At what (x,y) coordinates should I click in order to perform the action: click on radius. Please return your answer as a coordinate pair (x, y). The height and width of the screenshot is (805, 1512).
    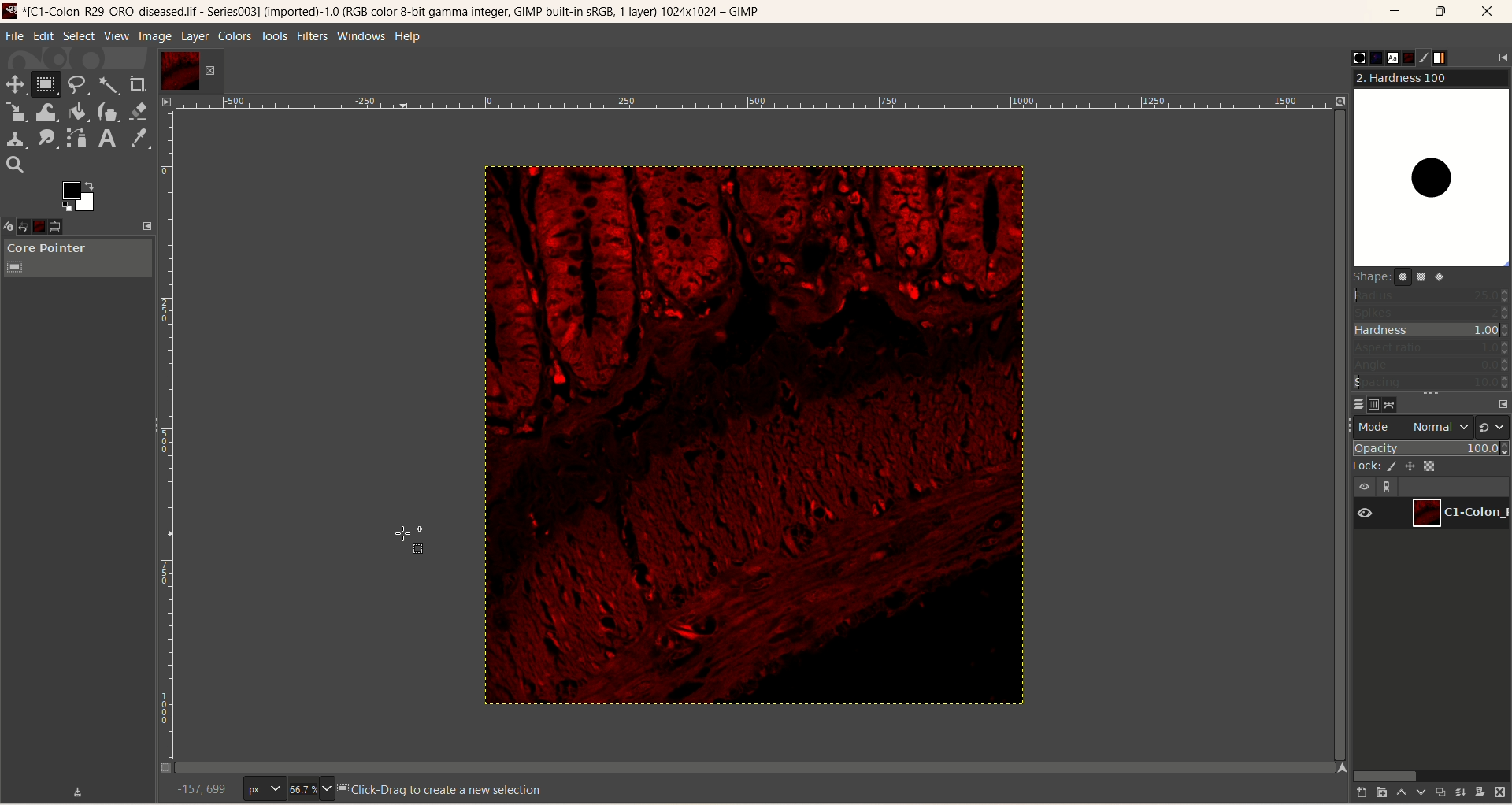
    Looking at the image, I should click on (1432, 295).